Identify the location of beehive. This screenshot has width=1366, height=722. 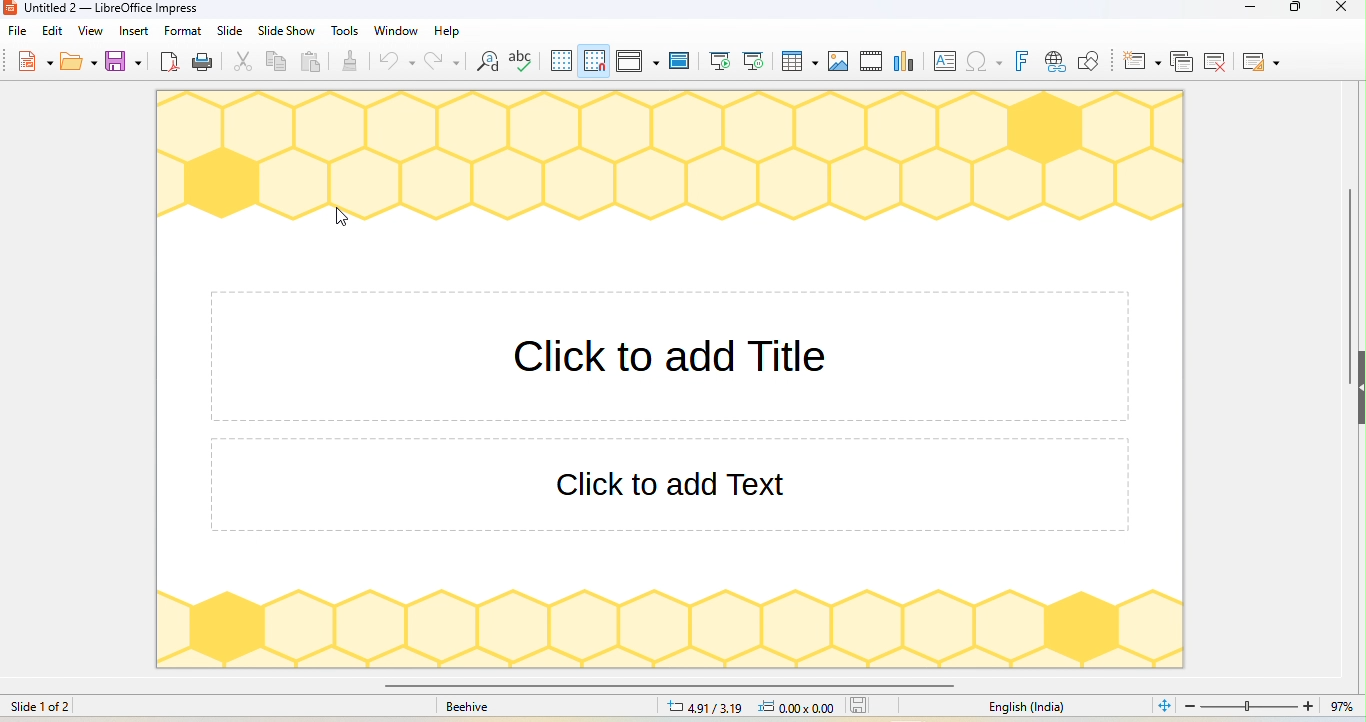
(467, 708).